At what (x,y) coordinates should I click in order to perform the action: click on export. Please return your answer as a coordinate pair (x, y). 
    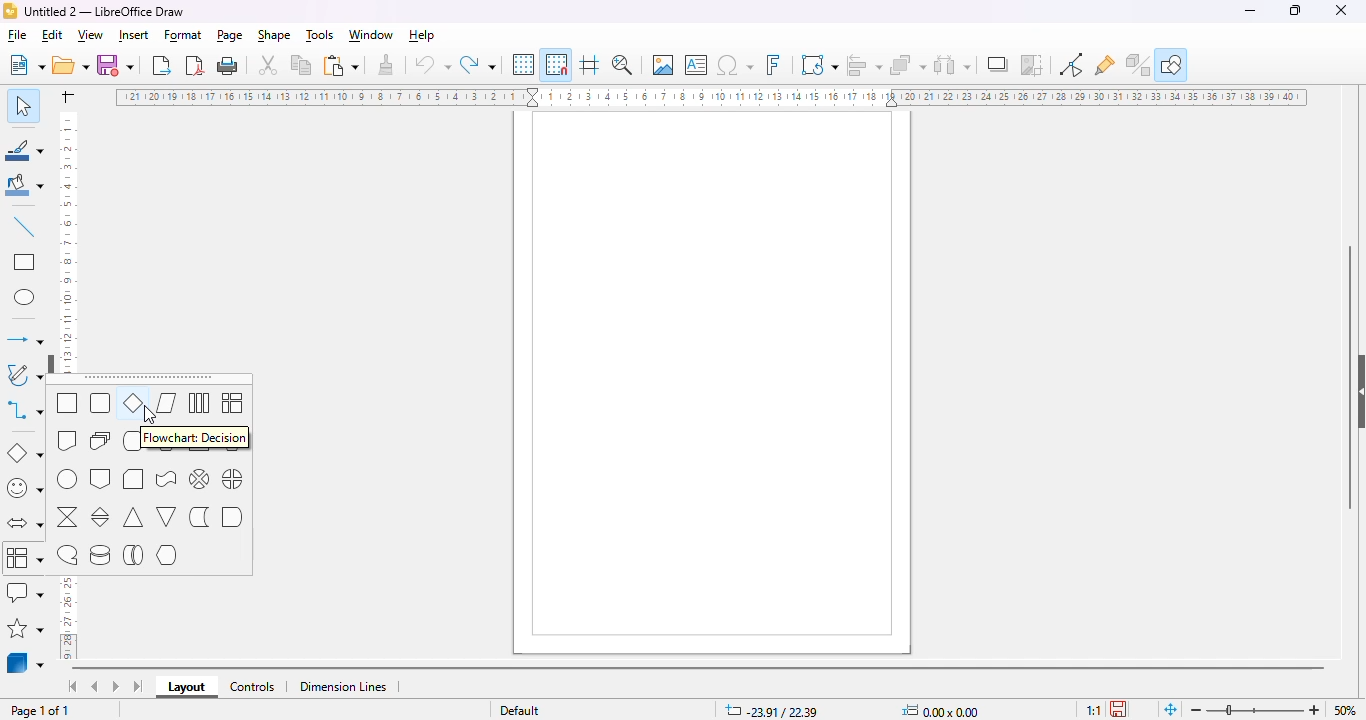
    Looking at the image, I should click on (162, 66).